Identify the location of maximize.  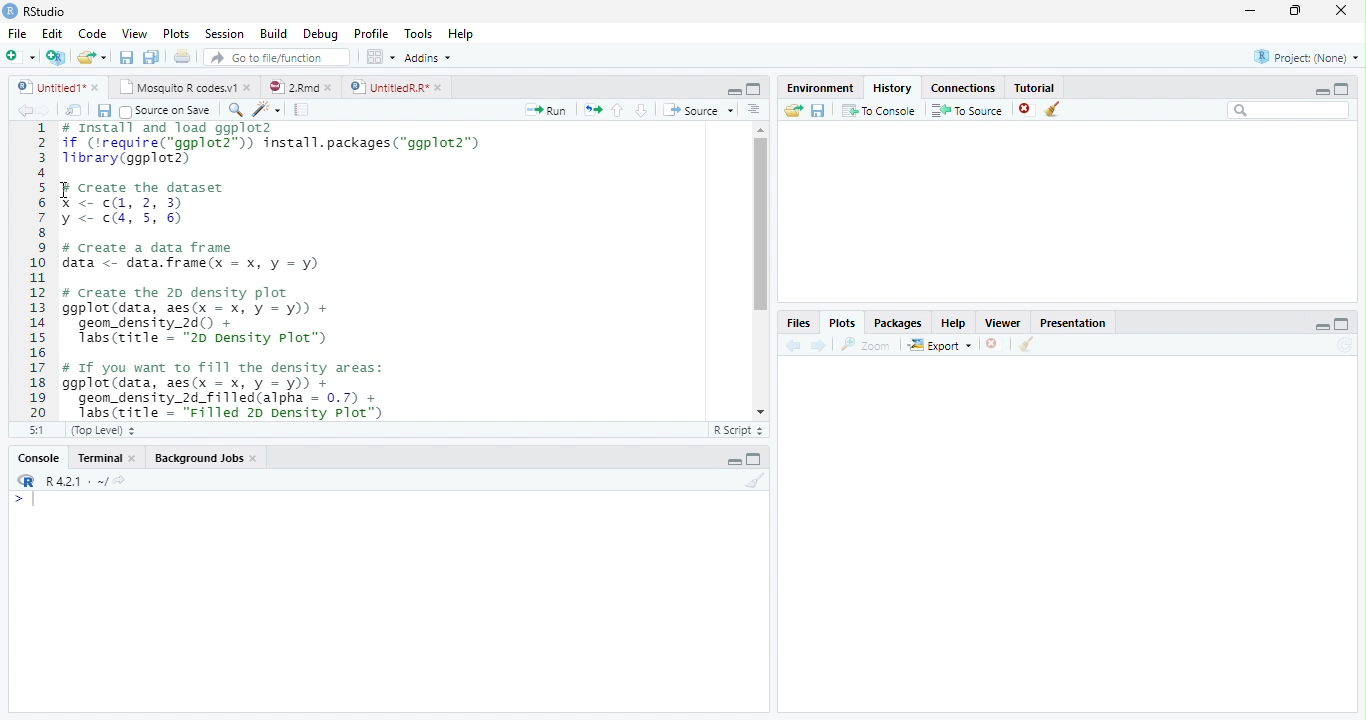
(1297, 10).